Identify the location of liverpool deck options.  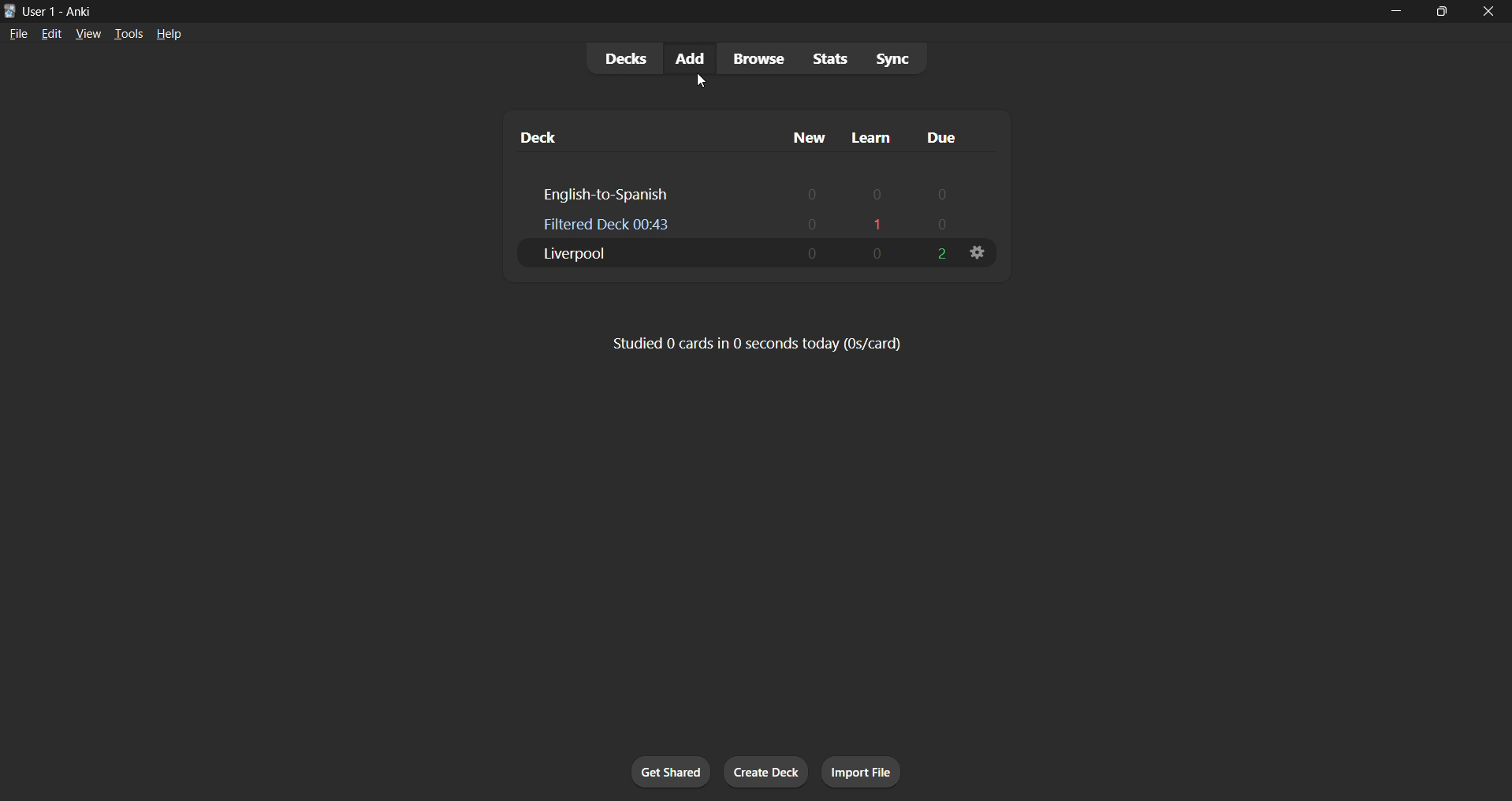
(977, 253).